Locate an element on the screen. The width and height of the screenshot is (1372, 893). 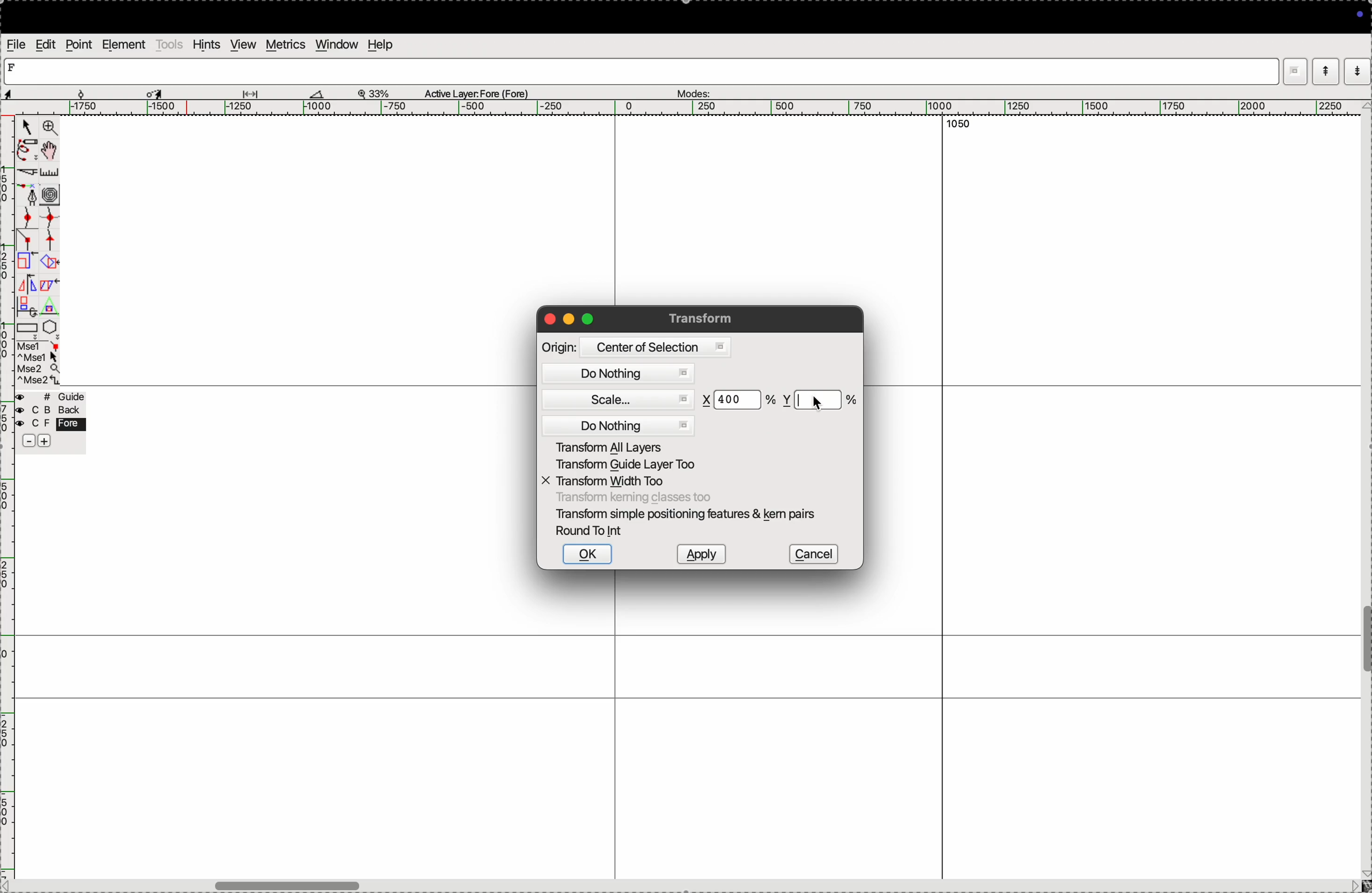
window is located at coordinates (337, 44).